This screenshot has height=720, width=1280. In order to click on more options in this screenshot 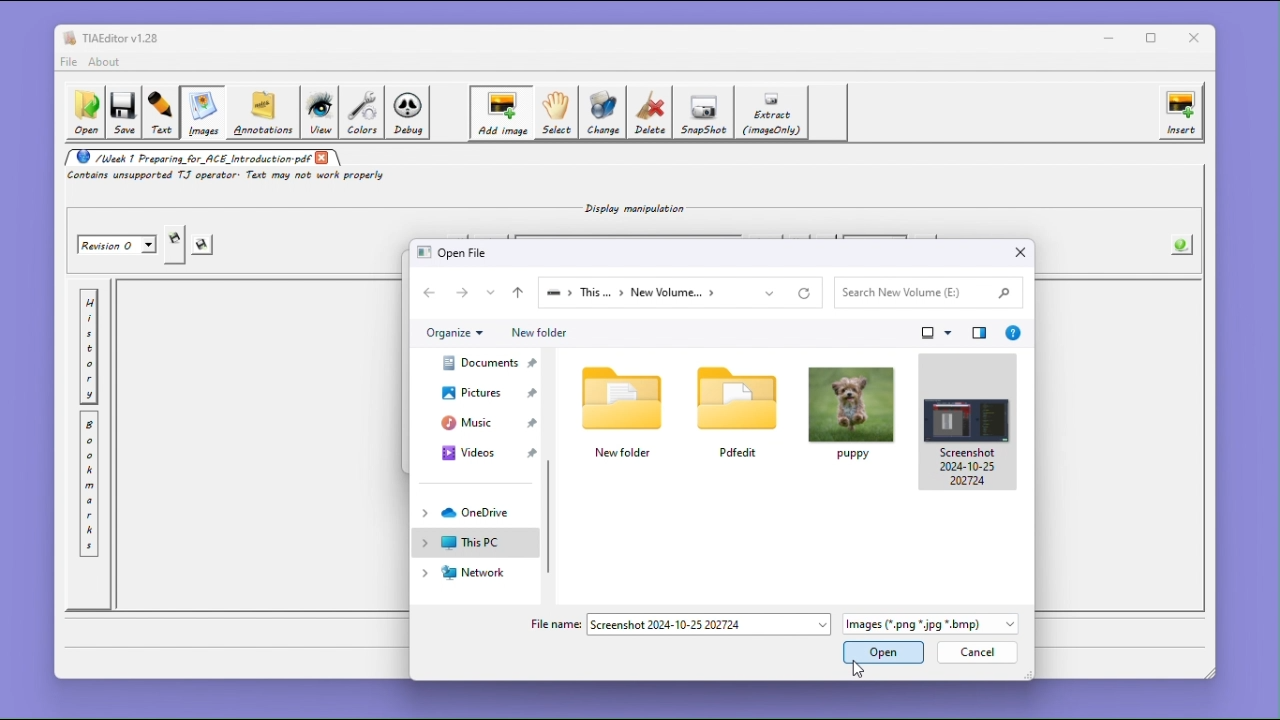, I will do `click(492, 292)`.